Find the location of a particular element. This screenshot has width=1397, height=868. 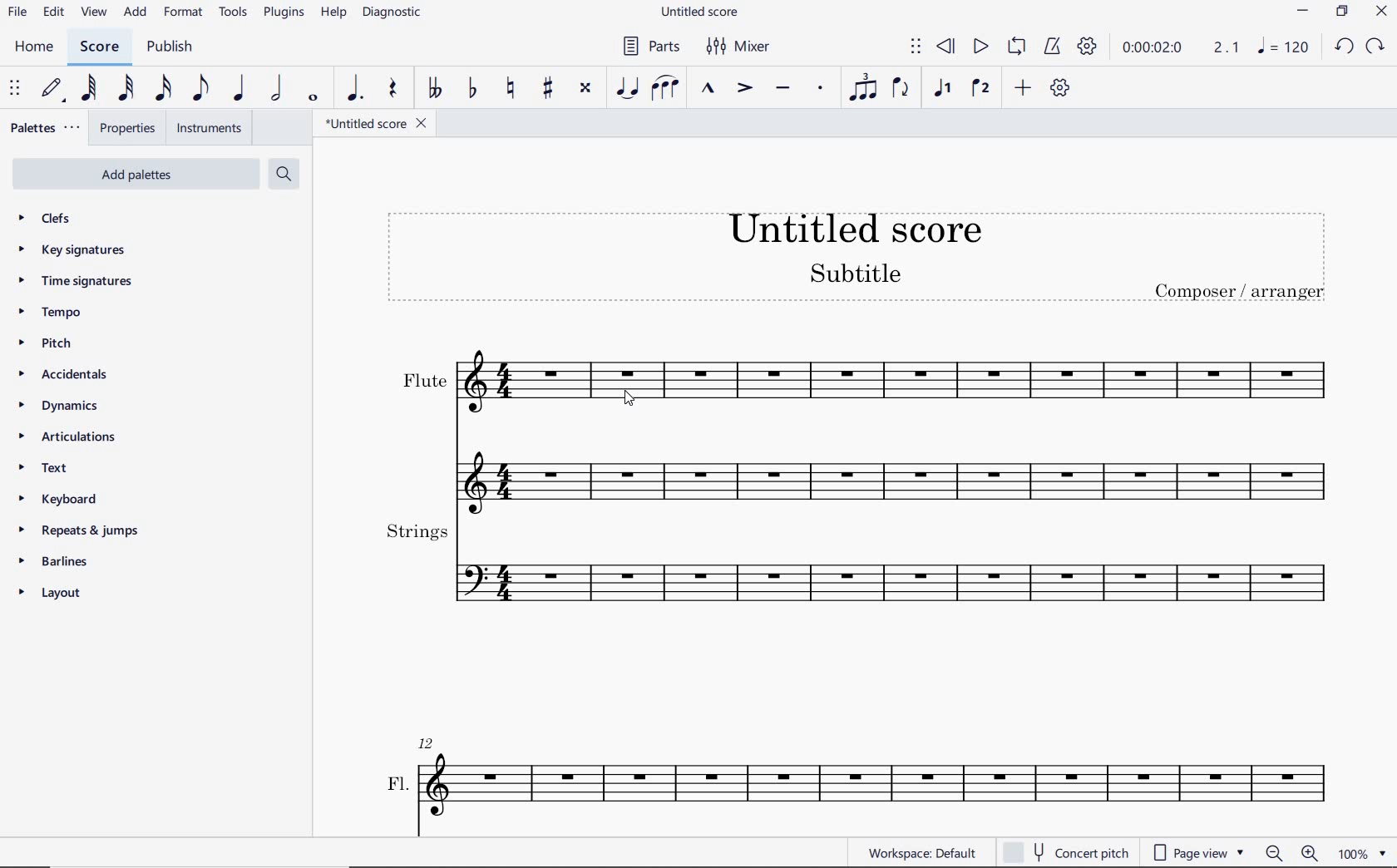

CUSTOMIZE TOOLBAR is located at coordinates (1060, 88).